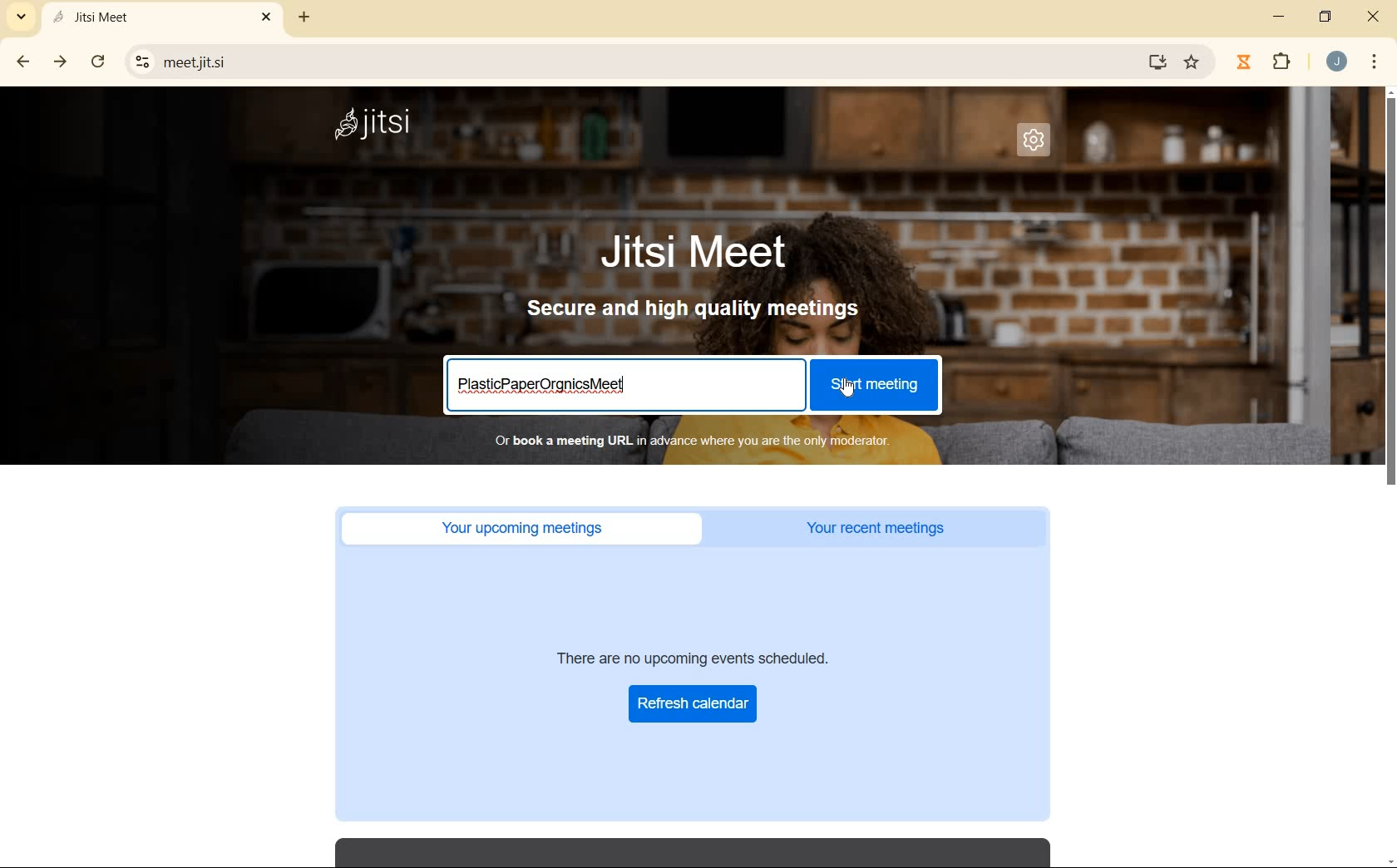 Image resolution: width=1397 pixels, height=868 pixels. Describe the element at coordinates (1375, 62) in the screenshot. I see `customize google chrome` at that location.